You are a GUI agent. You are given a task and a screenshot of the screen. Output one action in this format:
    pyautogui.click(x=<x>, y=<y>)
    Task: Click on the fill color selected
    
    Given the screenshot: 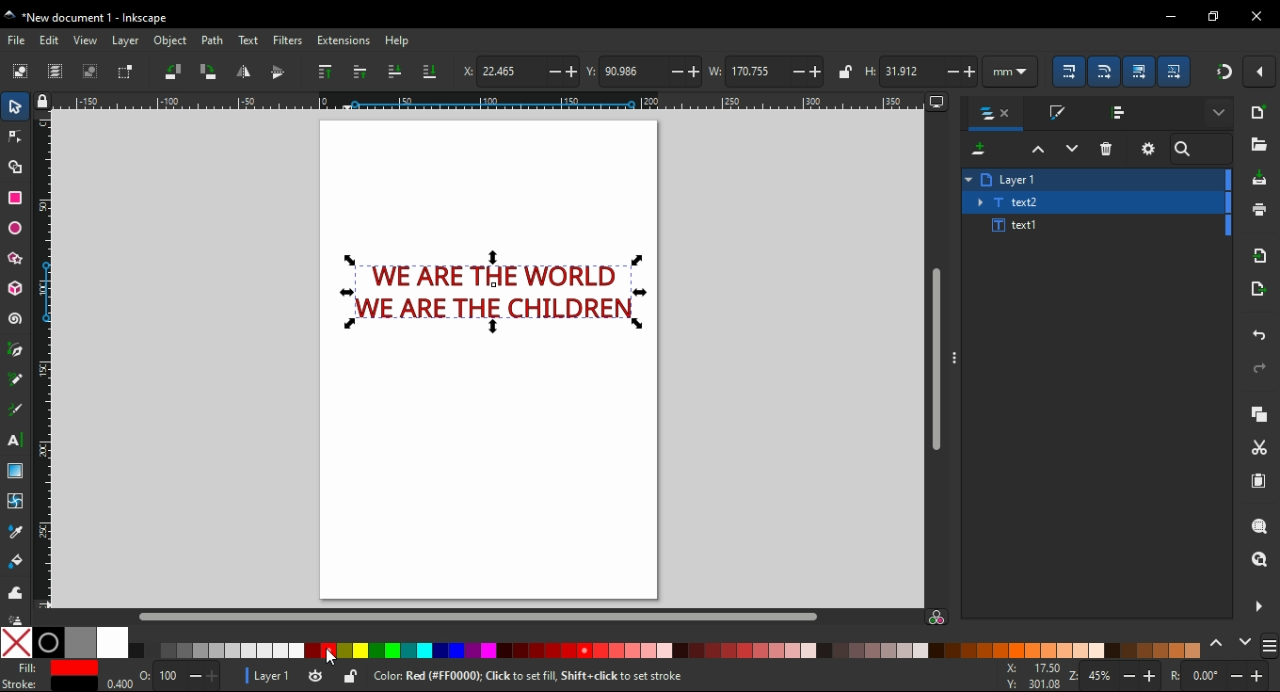 What is the action you would take?
    pyautogui.click(x=57, y=668)
    